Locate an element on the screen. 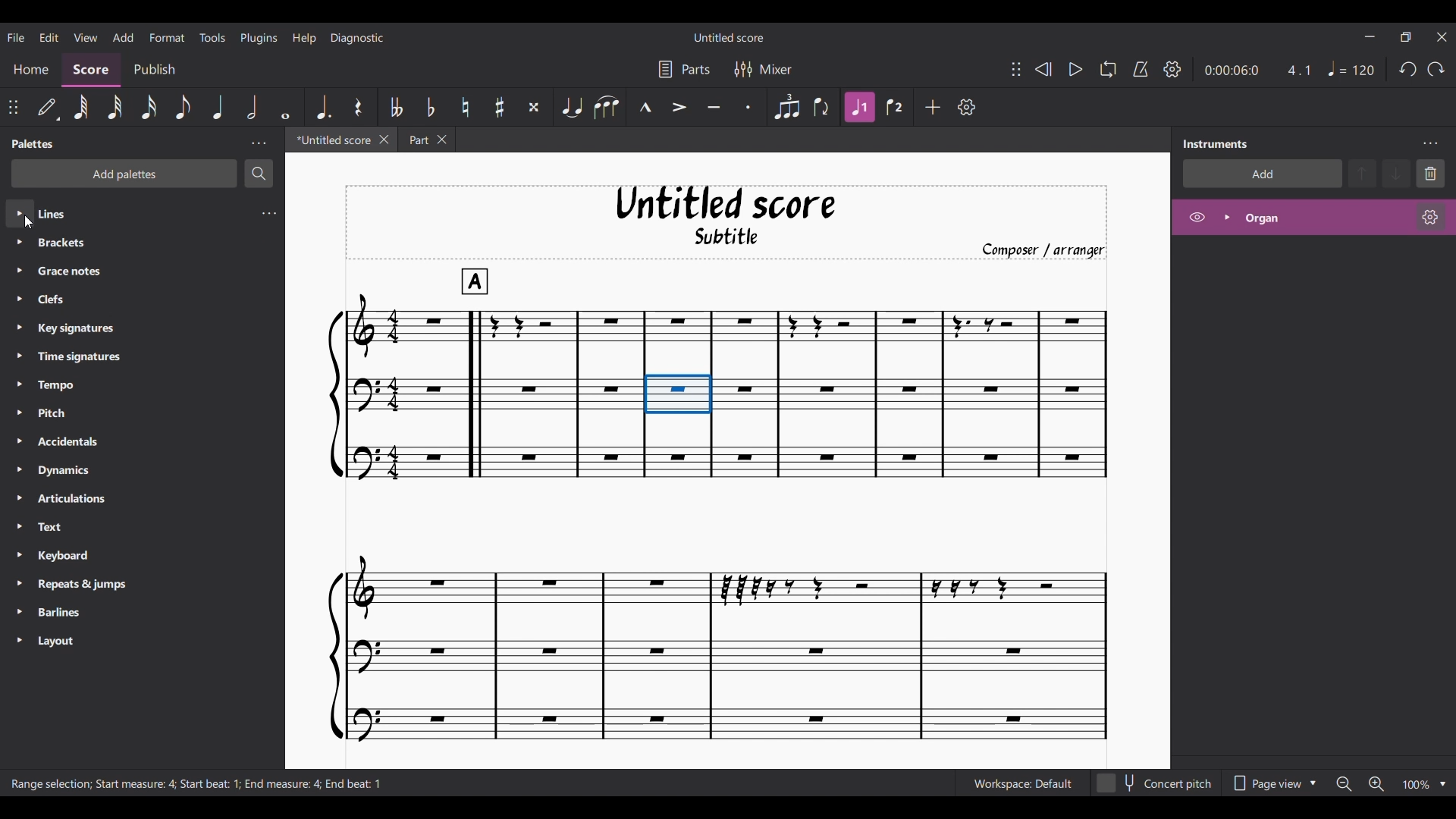 This screenshot has height=819, width=1456. Toggle double sharp is located at coordinates (534, 108).